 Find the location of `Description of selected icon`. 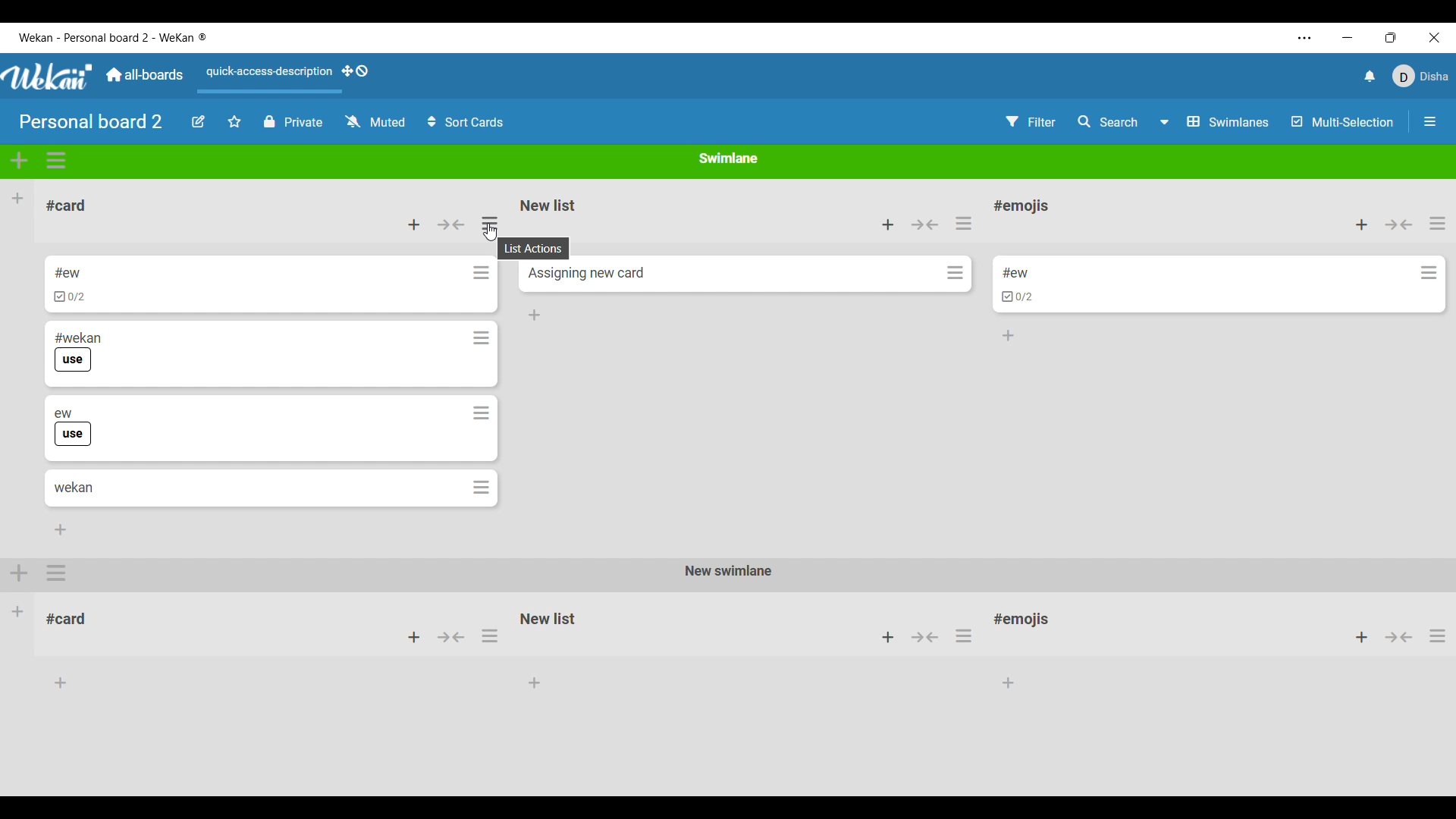

Description of selected icon is located at coordinates (535, 249).